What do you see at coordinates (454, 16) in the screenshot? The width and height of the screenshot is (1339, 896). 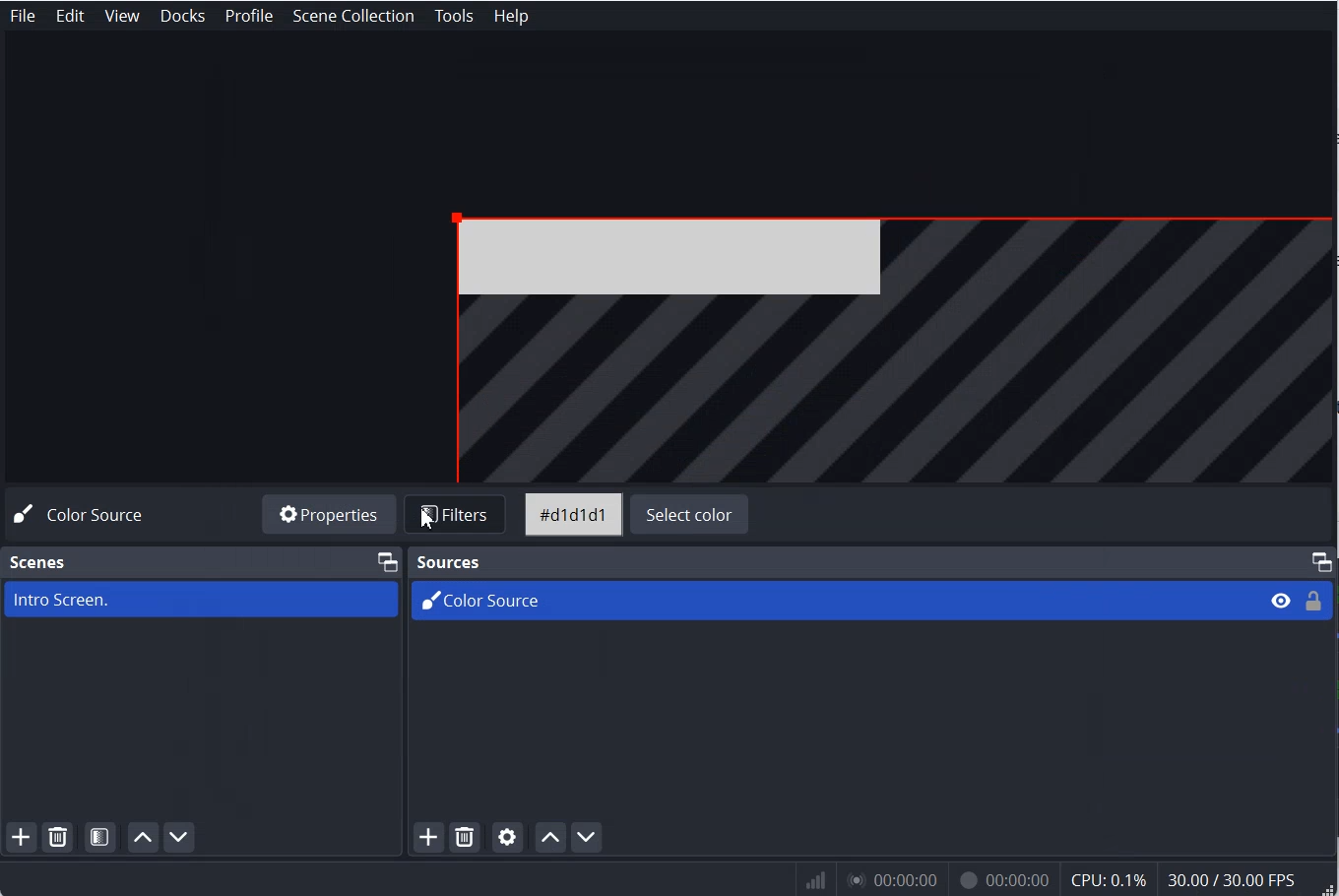 I see `Tools` at bounding box center [454, 16].